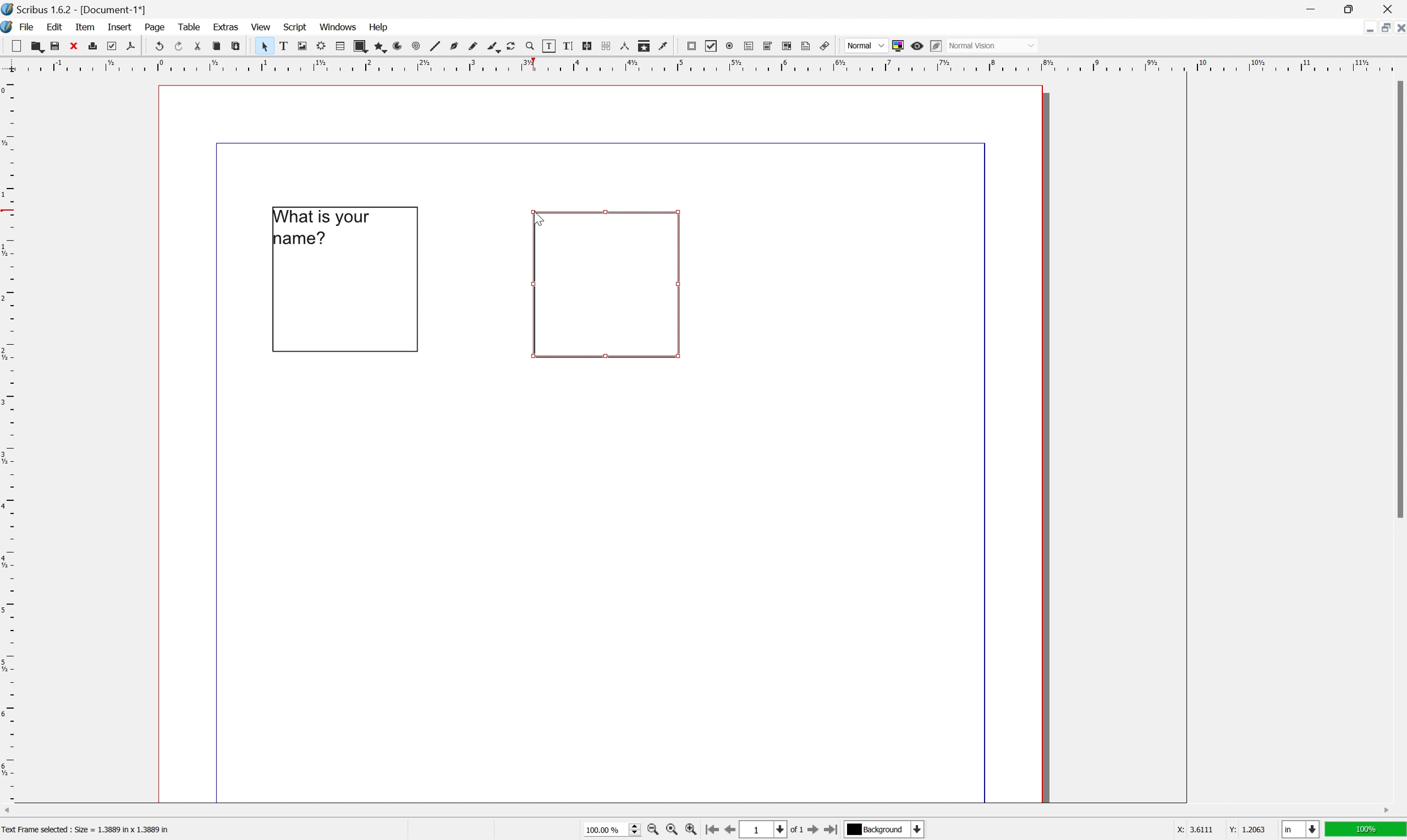  I want to click on minimize, so click(1310, 8).